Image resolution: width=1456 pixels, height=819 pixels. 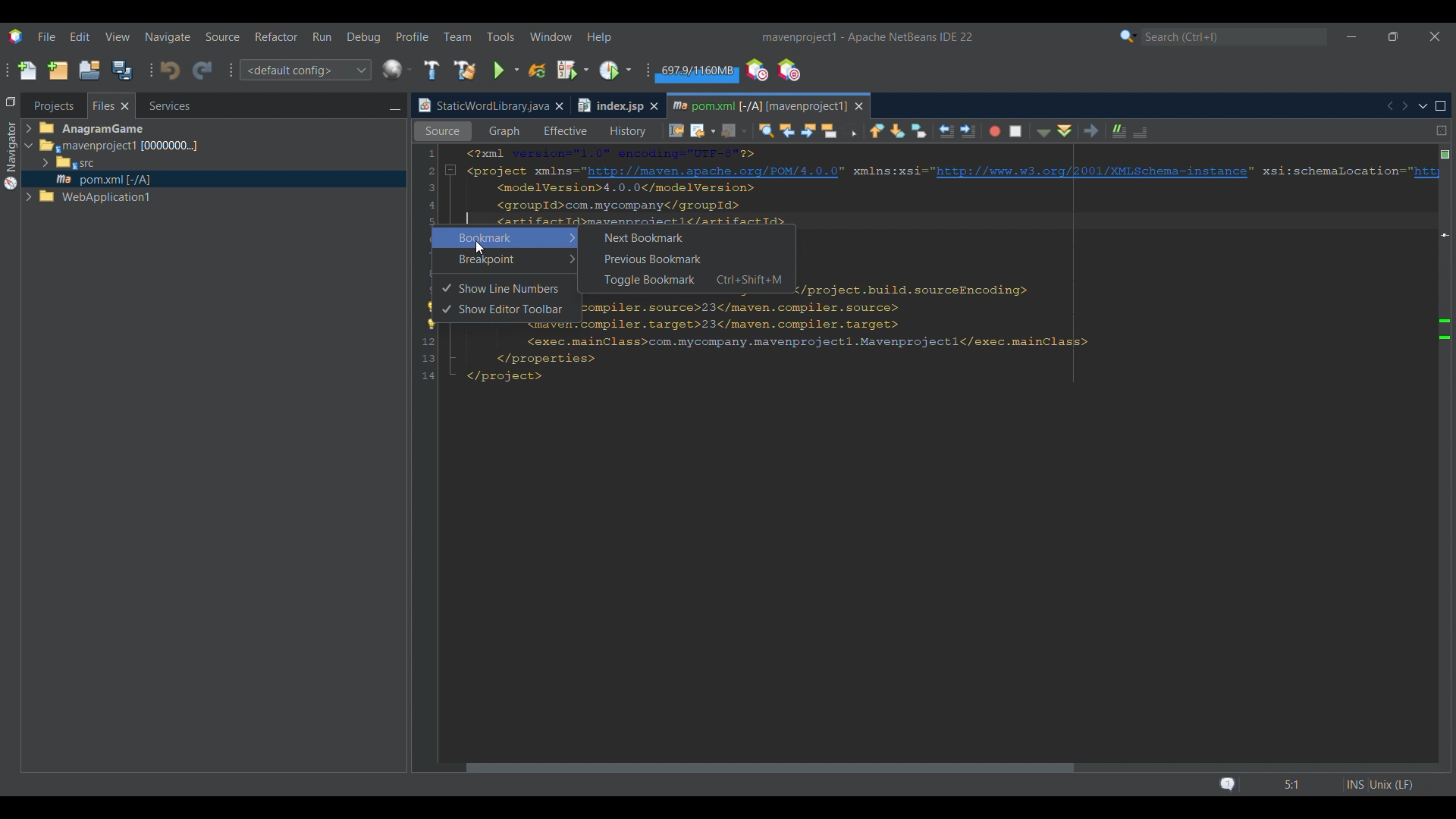 What do you see at coordinates (730, 130) in the screenshot?
I see `Forward options` at bounding box center [730, 130].